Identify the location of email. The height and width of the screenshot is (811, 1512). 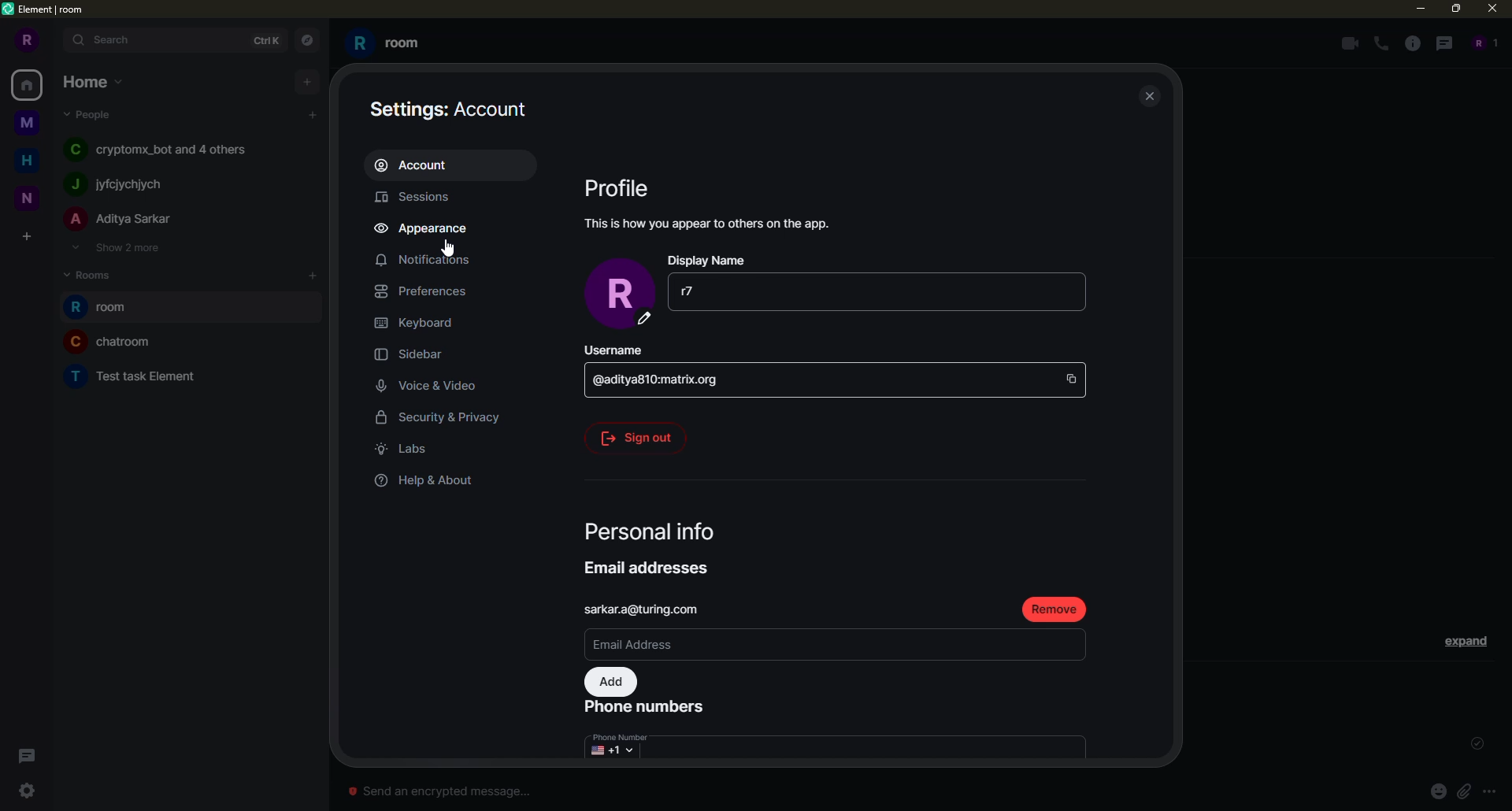
(640, 610).